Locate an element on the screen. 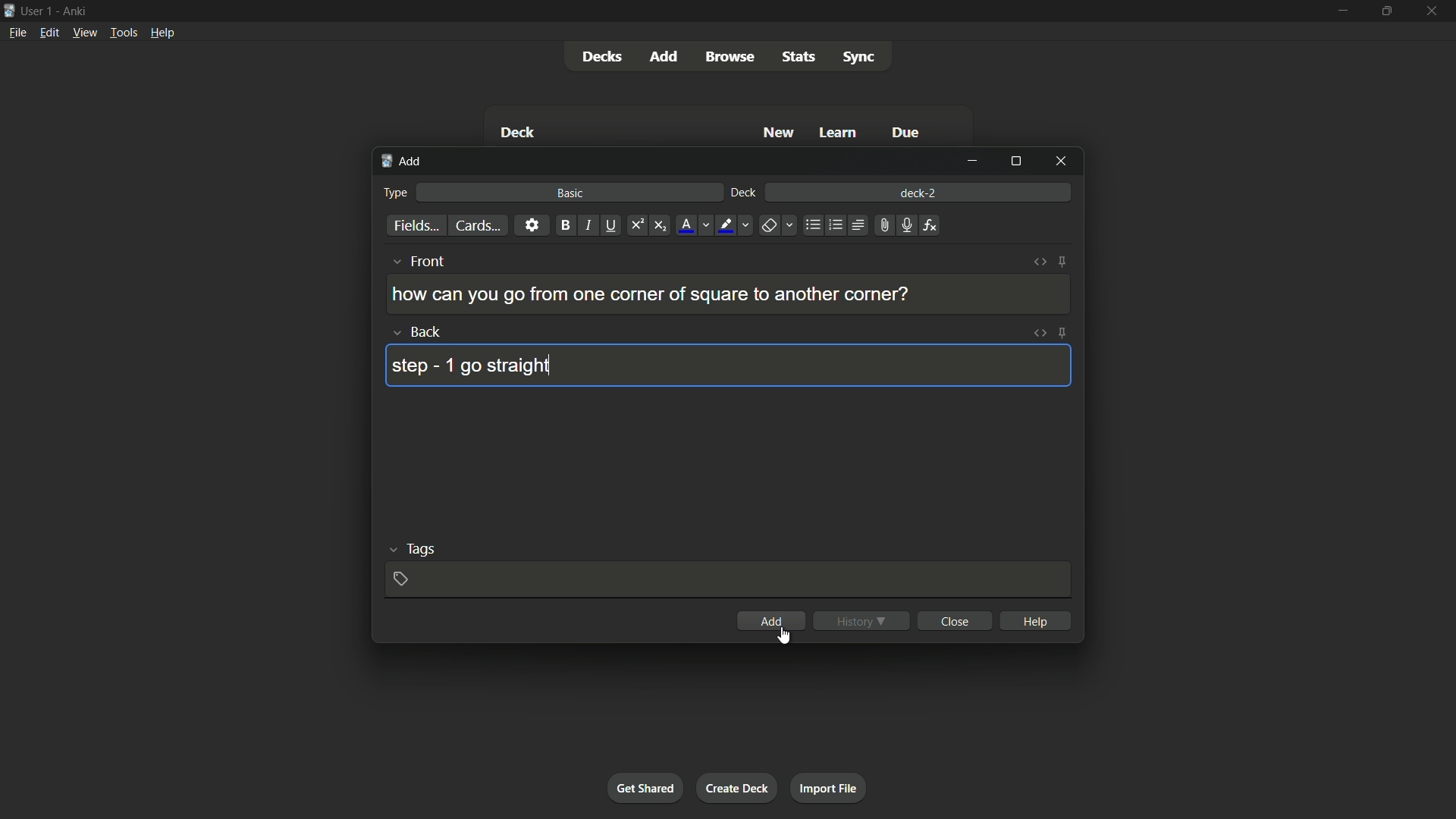  file menu is located at coordinates (16, 33).